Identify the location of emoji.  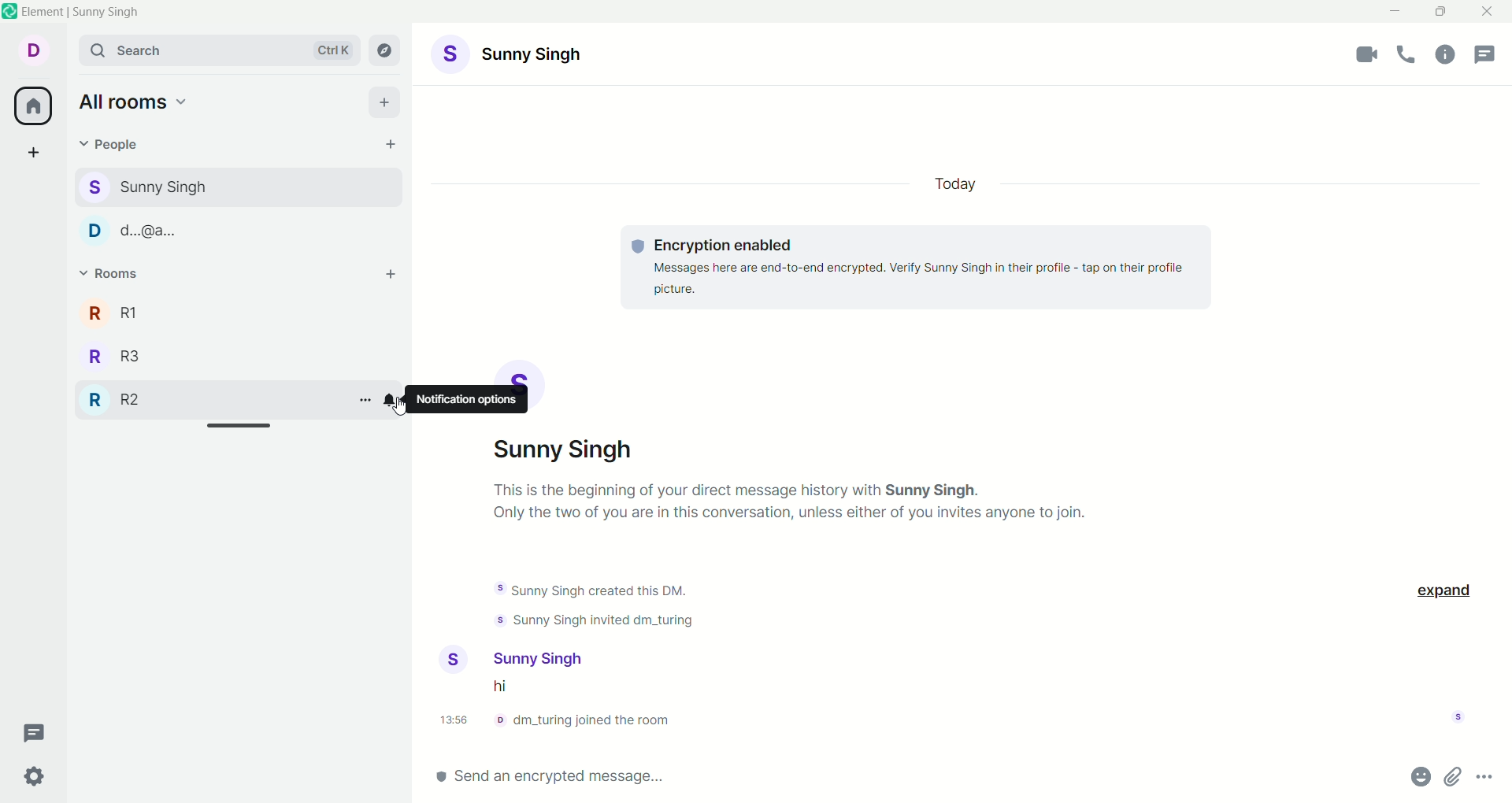
(1420, 775).